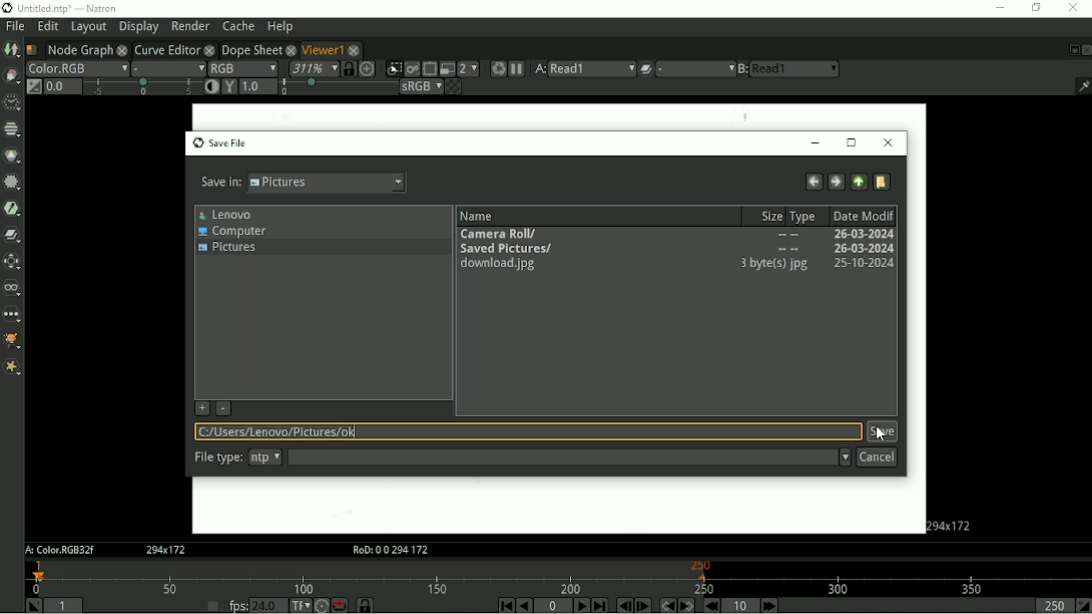 This screenshot has height=614, width=1092. What do you see at coordinates (33, 605) in the screenshot?
I see `Set playback in point` at bounding box center [33, 605].